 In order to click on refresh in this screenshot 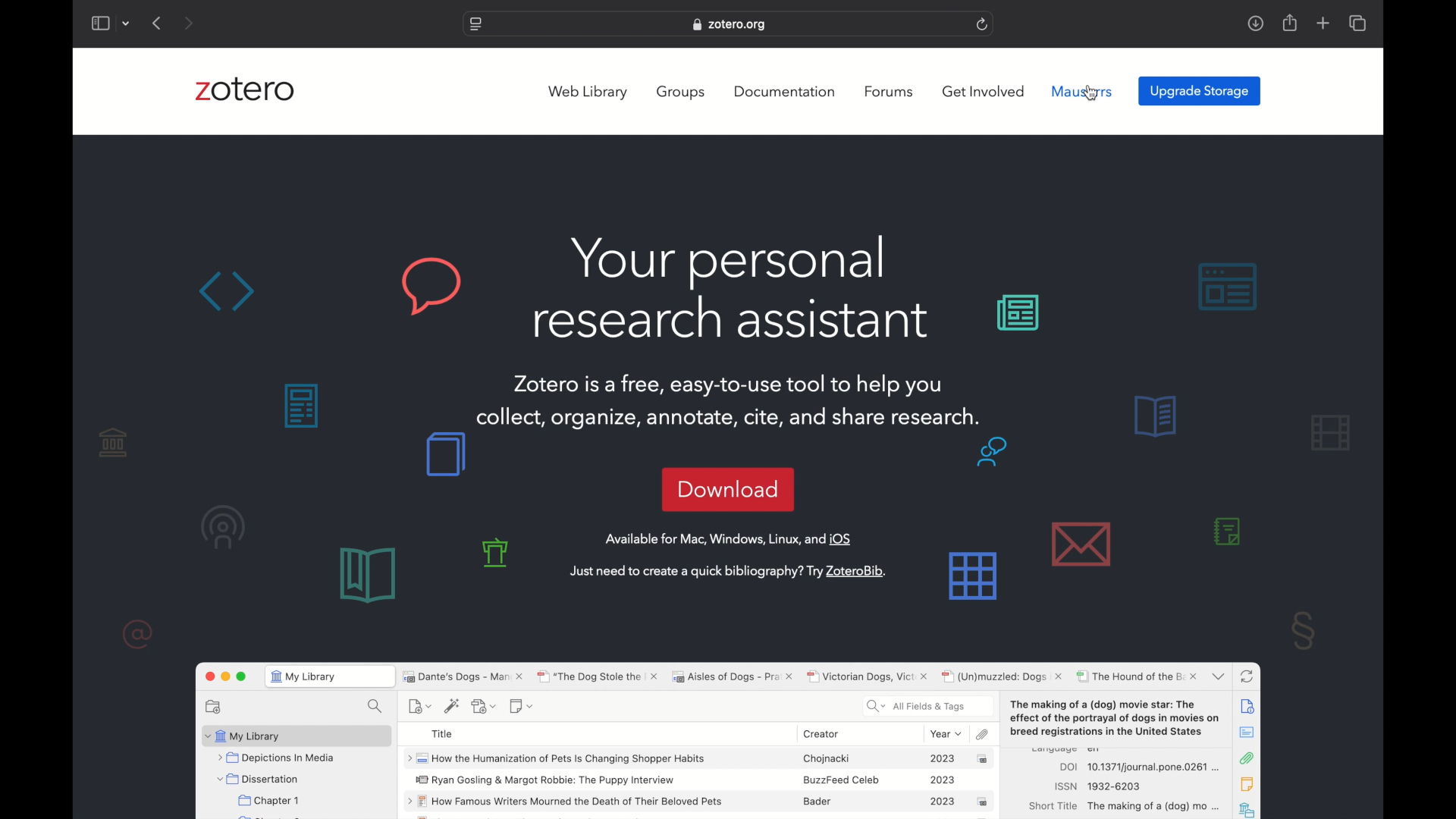, I will do `click(983, 24)`.